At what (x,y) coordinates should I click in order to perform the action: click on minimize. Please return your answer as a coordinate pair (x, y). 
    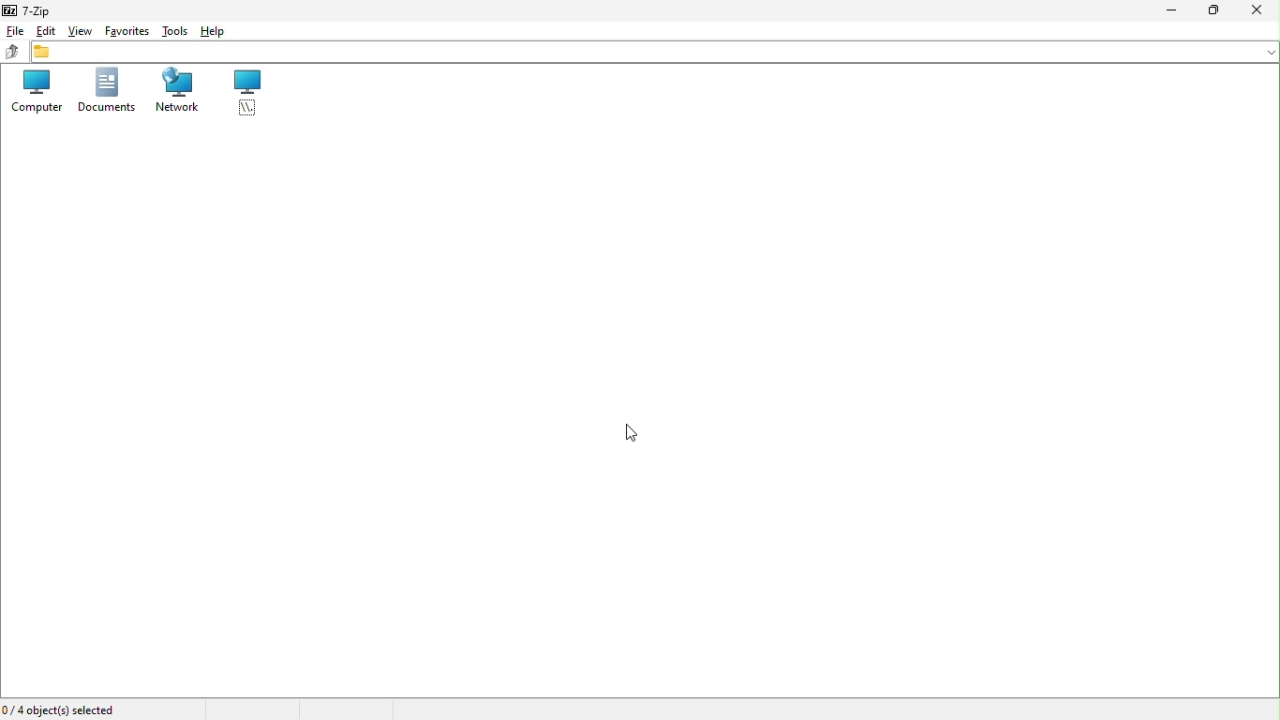
    Looking at the image, I should click on (1175, 10).